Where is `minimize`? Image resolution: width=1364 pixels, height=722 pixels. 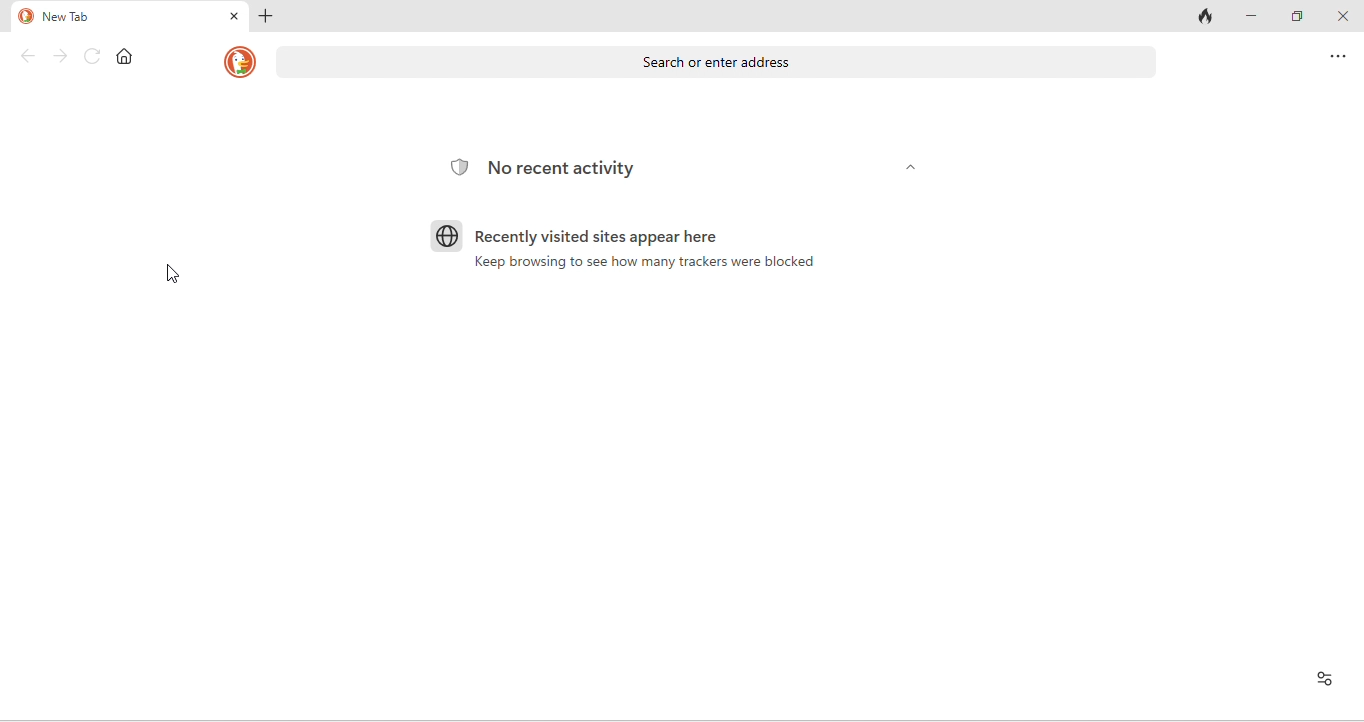
minimize is located at coordinates (1250, 15).